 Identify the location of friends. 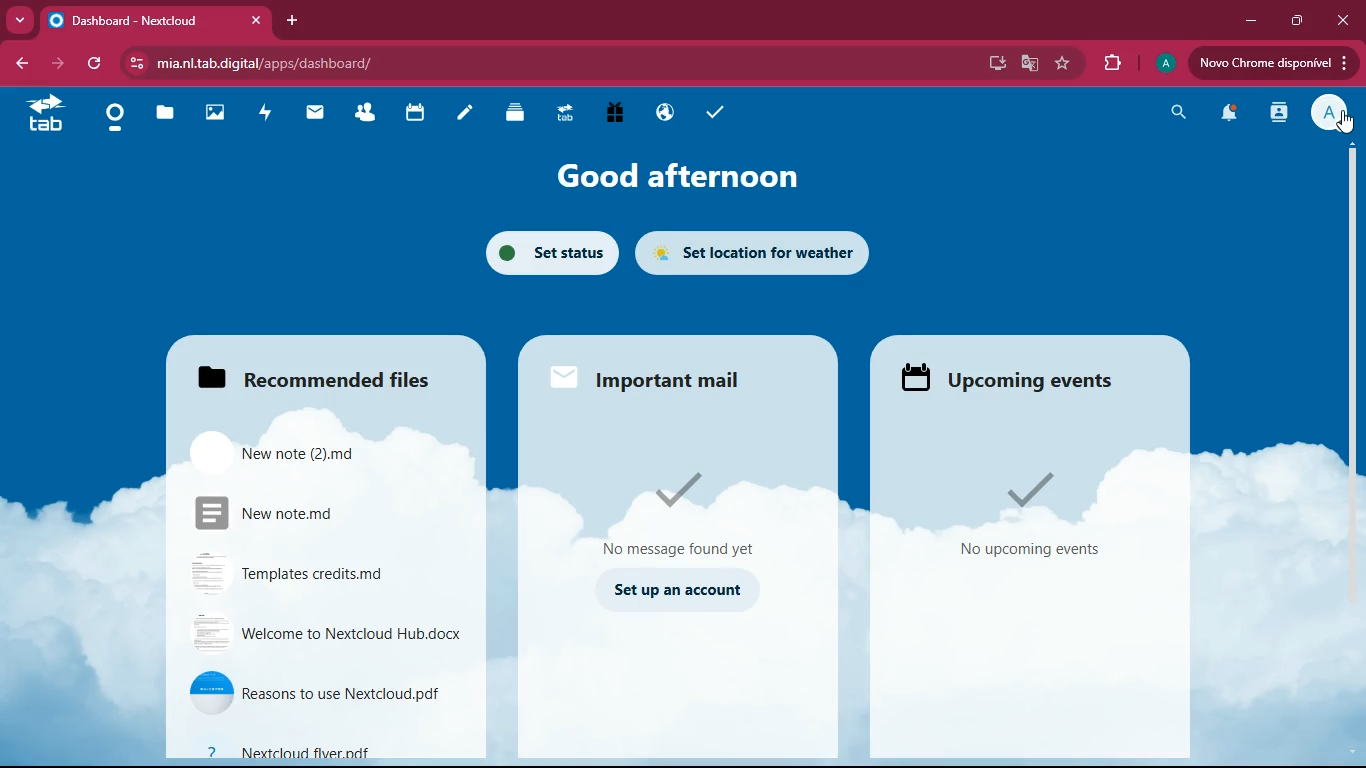
(359, 113).